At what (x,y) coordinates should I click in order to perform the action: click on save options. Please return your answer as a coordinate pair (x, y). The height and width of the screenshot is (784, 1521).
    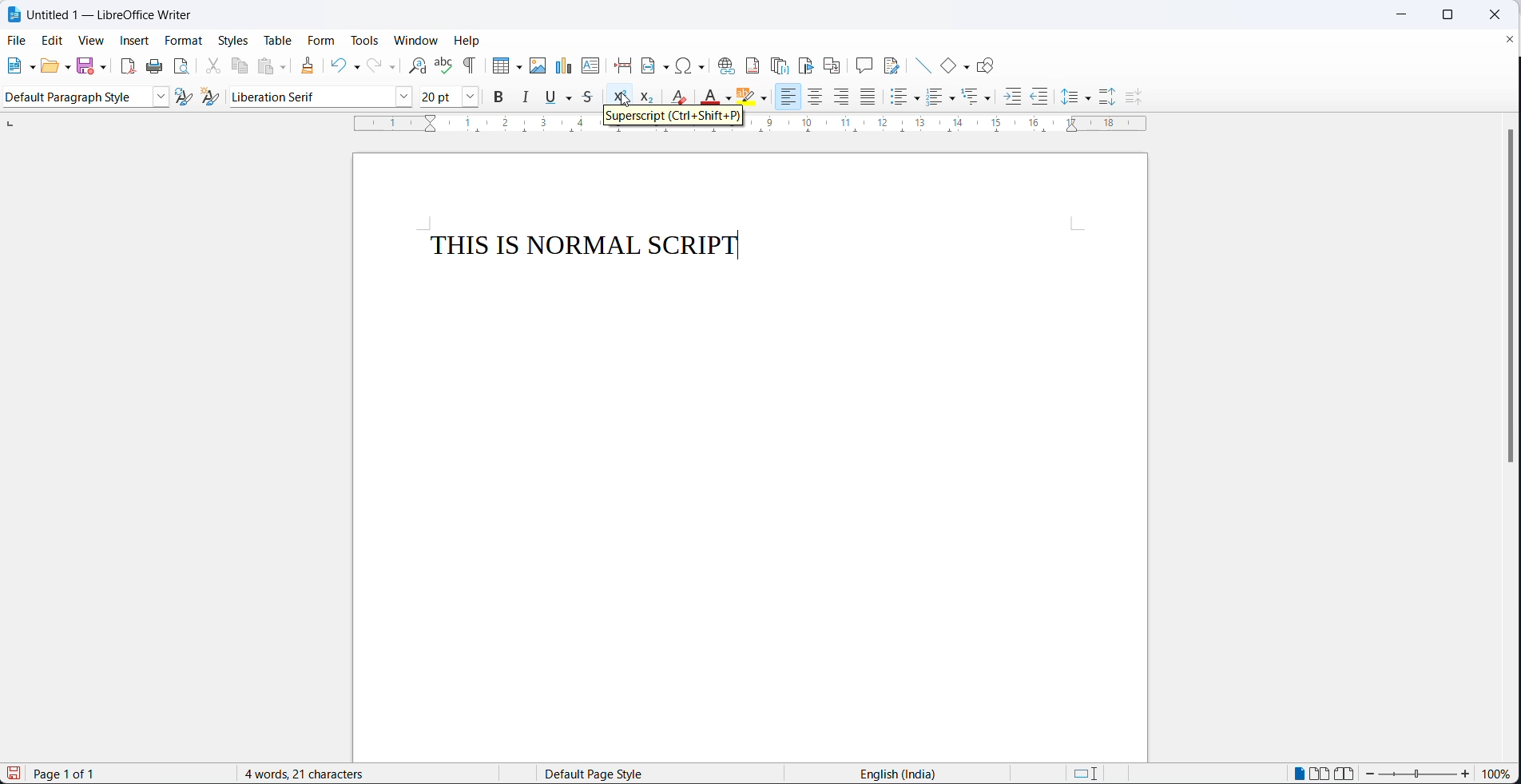
    Looking at the image, I should click on (103, 67).